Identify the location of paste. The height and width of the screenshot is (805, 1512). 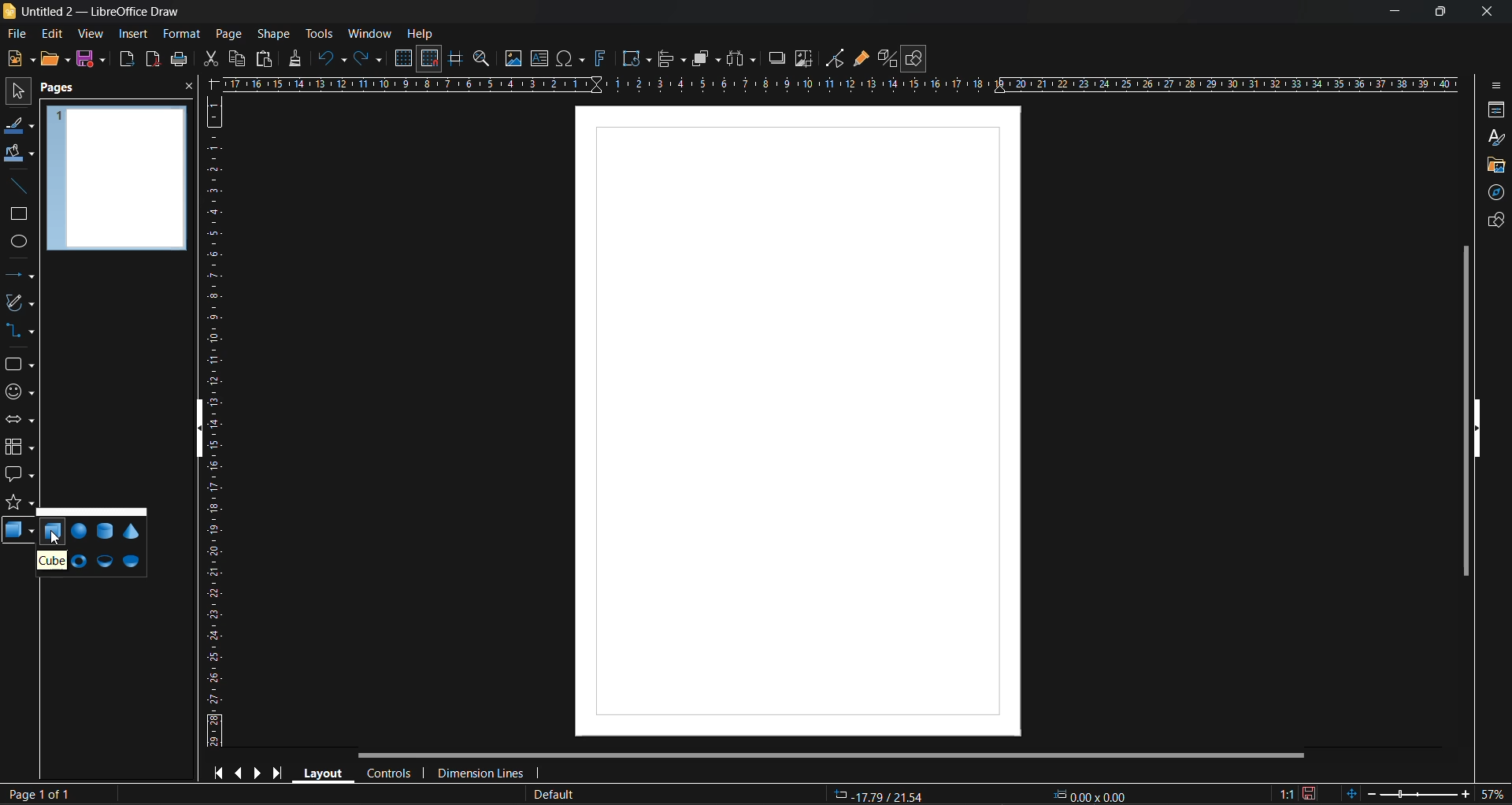
(262, 61).